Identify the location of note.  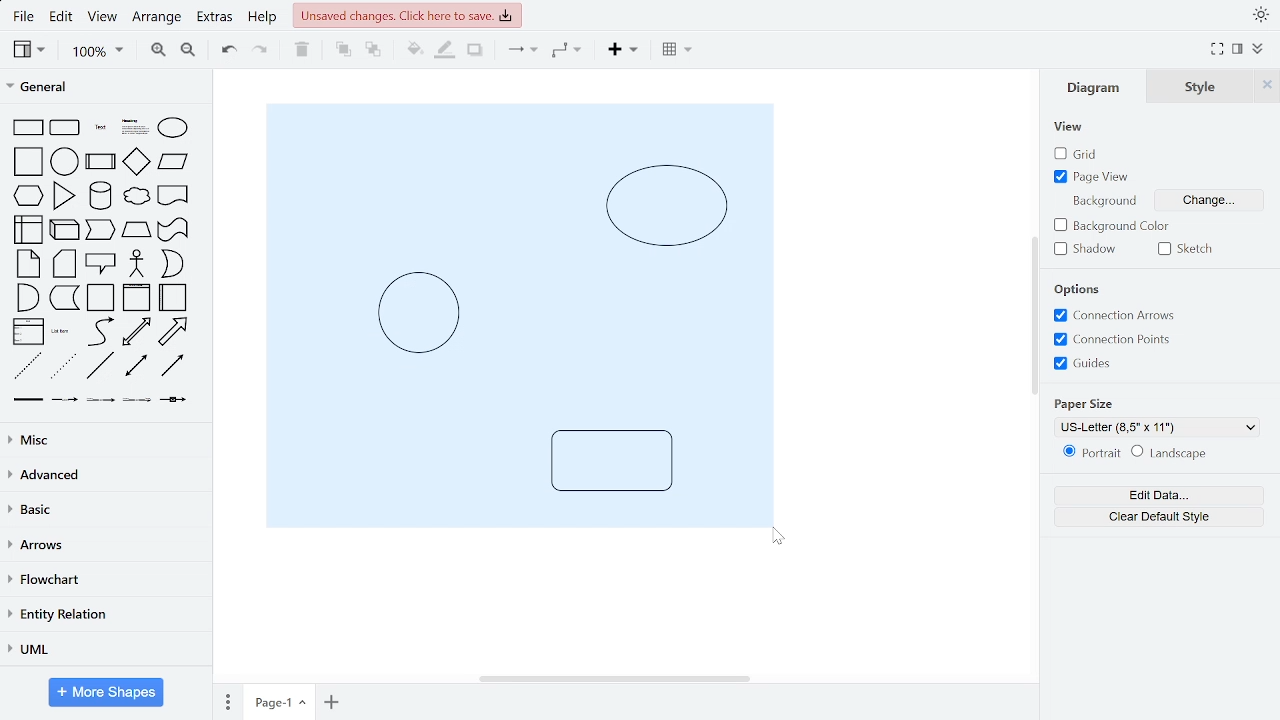
(28, 264).